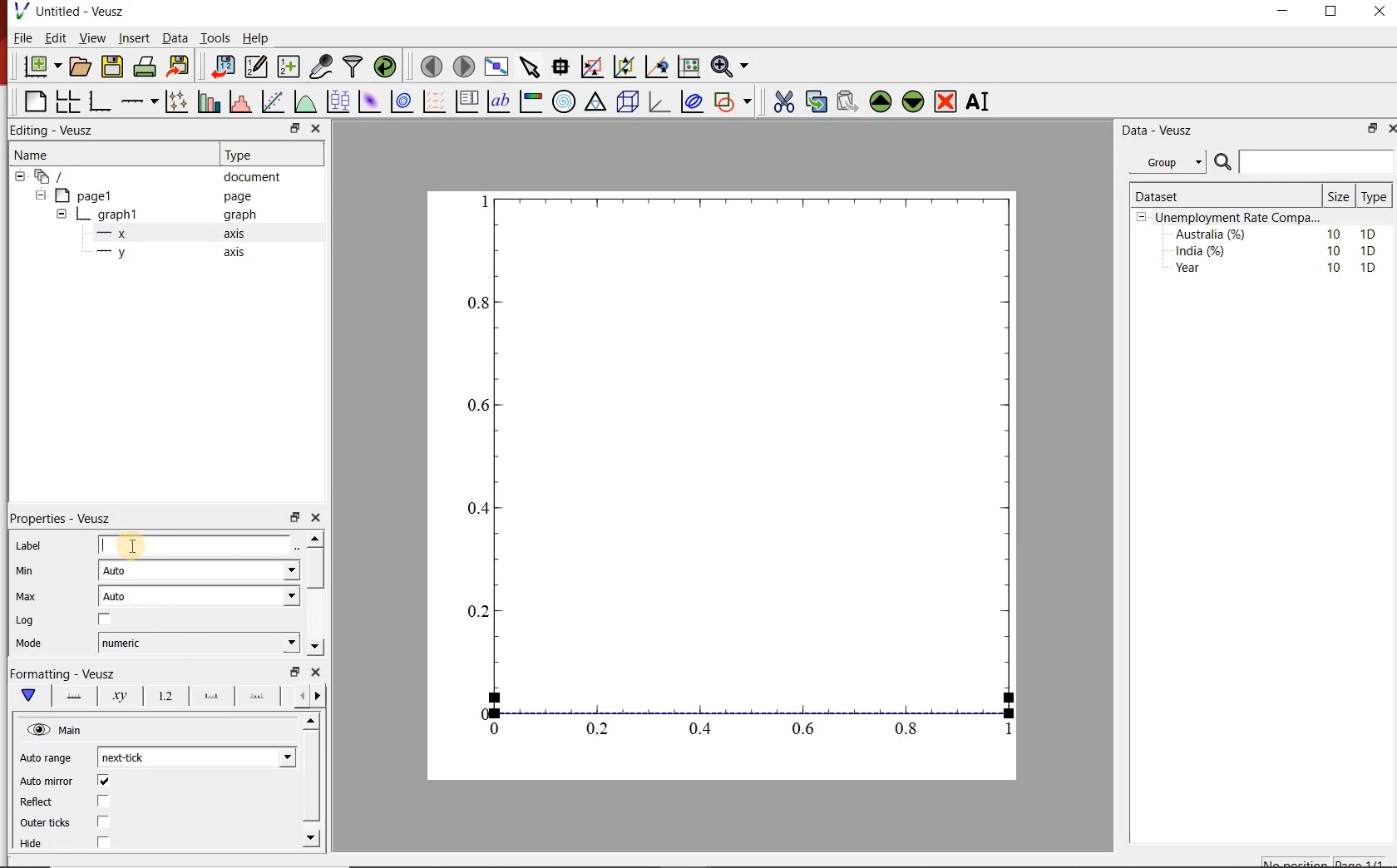  Describe the element at coordinates (145, 65) in the screenshot. I see `print document` at that location.